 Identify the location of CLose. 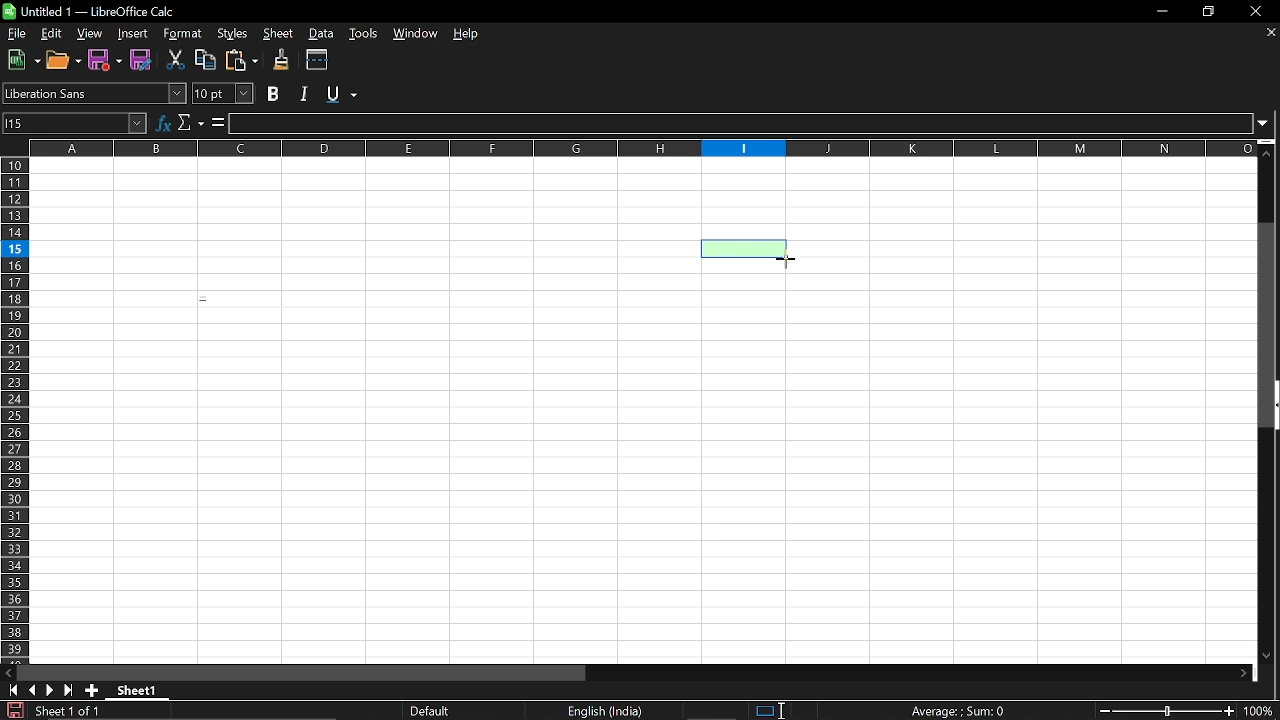
(1255, 11).